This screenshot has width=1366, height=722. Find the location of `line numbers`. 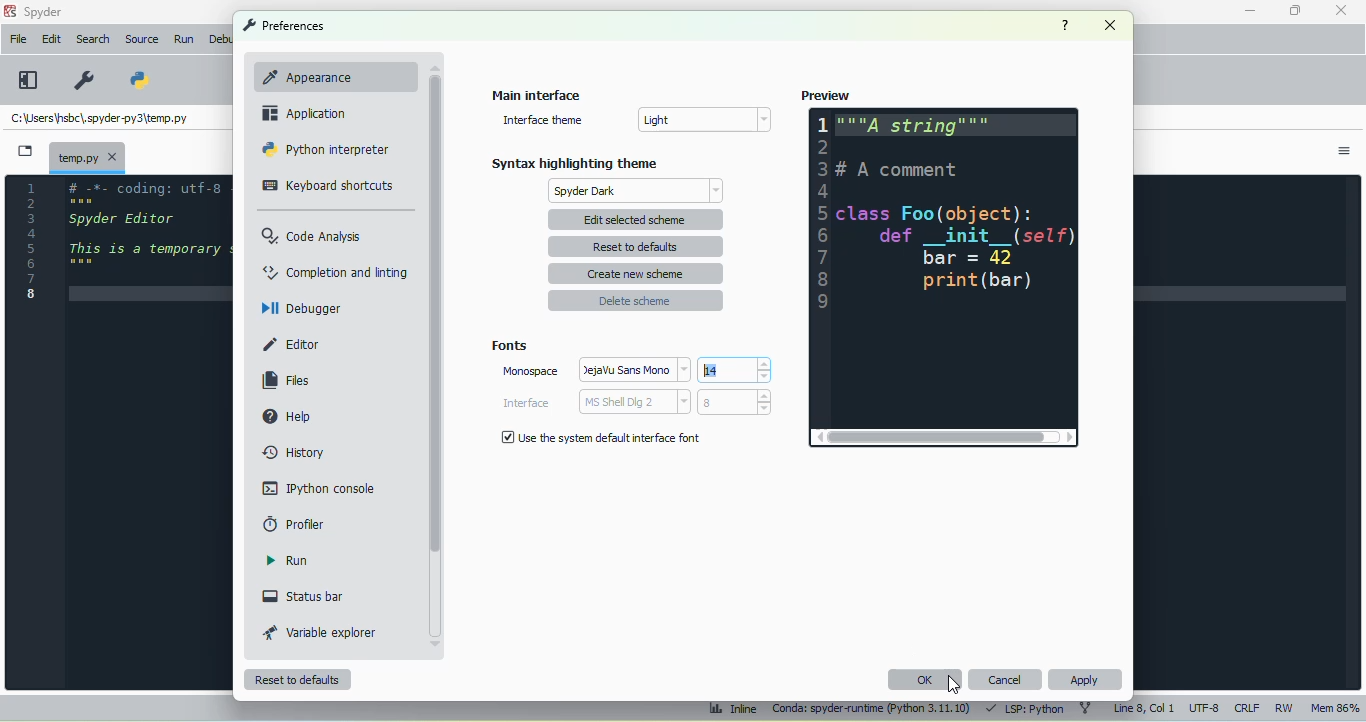

line numbers is located at coordinates (31, 240).